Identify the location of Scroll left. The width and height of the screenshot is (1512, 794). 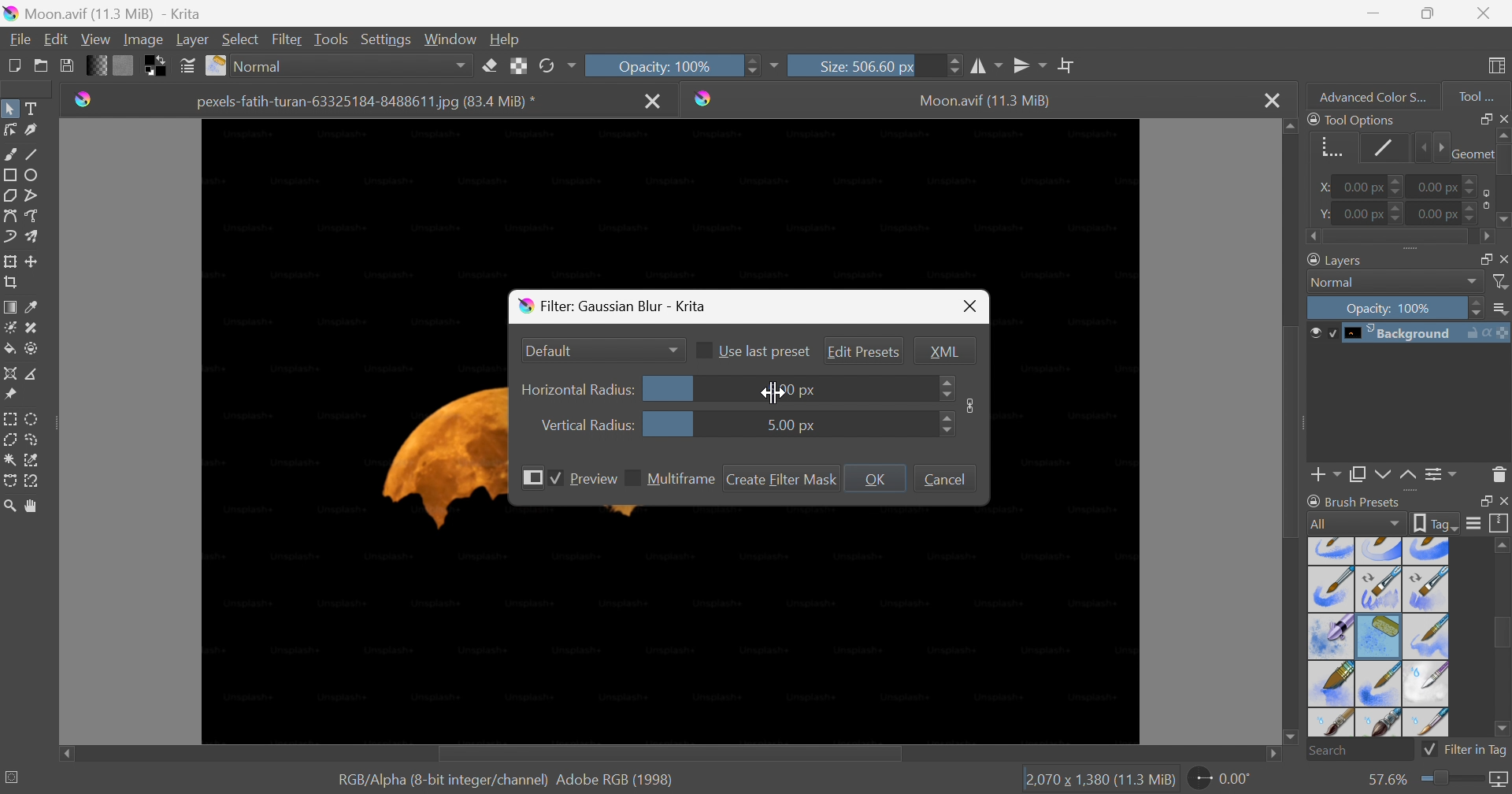
(1314, 237).